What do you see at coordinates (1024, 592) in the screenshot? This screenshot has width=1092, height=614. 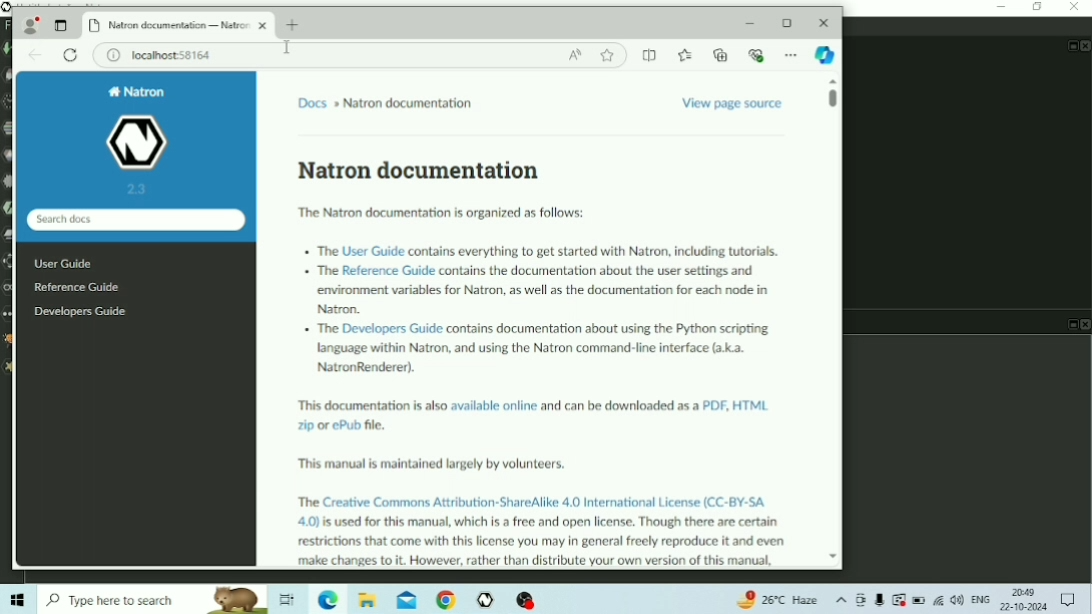 I see `Time` at bounding box center [1024, 592].